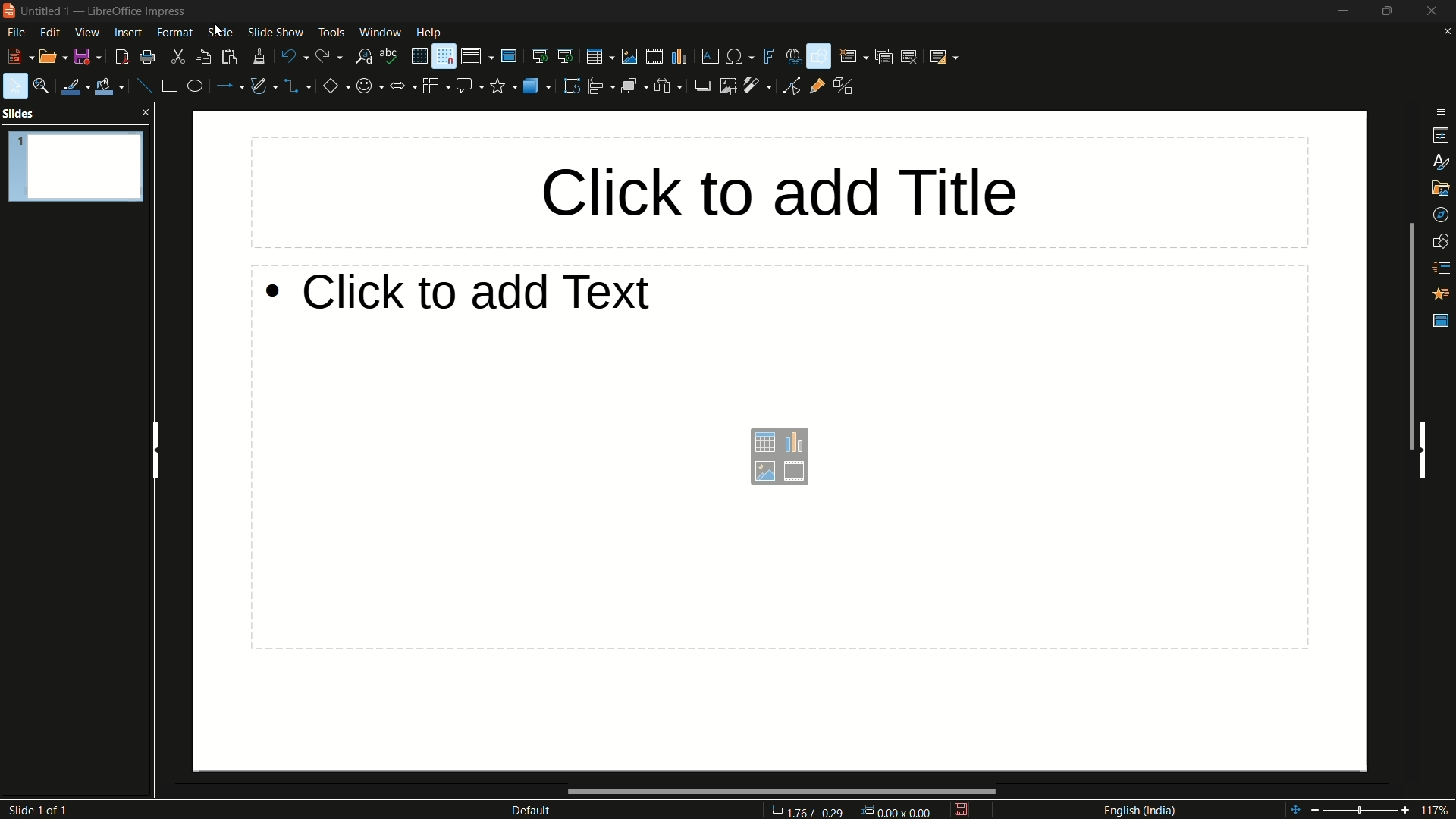  What do you see at coordinates (1437, 810) in the screenshot?
I see `117%` at bounding box center [1437, 810].